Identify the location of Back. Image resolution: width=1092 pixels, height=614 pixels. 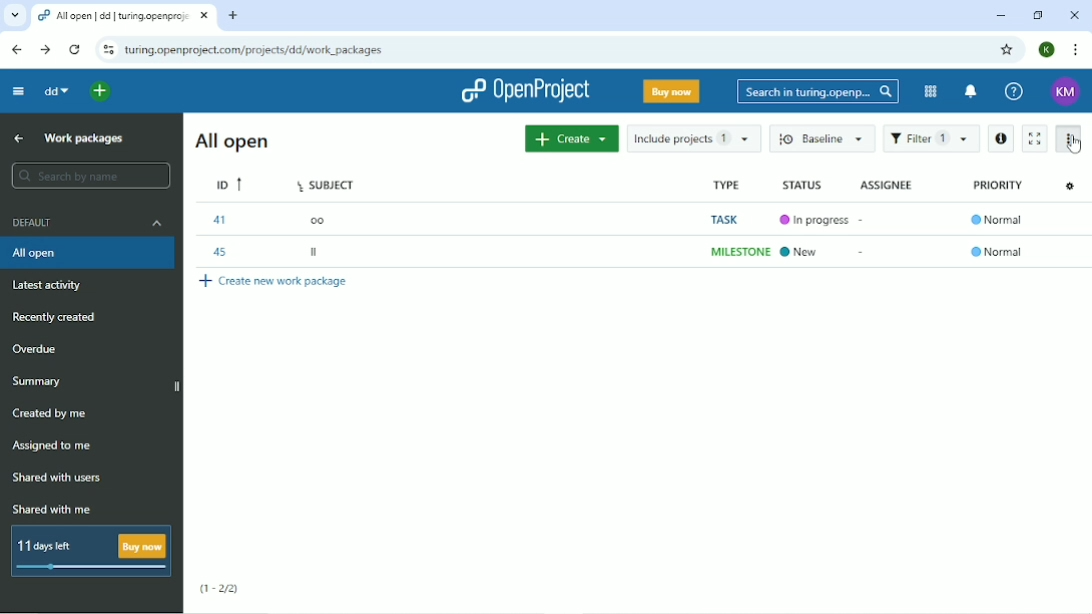
(18, 49).